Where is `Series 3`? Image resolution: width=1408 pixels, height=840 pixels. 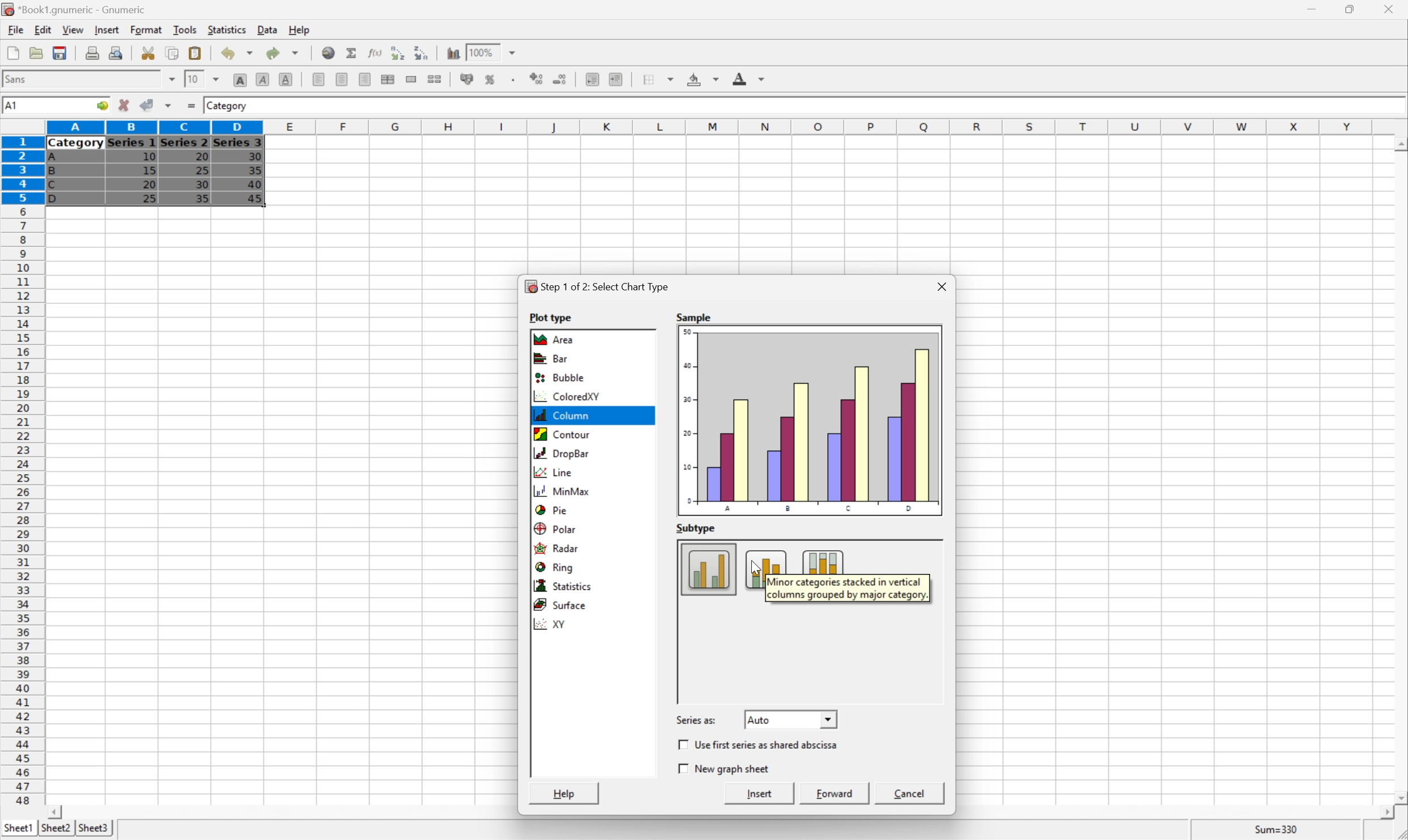 Series 3 is located at coordinates (238, 142).